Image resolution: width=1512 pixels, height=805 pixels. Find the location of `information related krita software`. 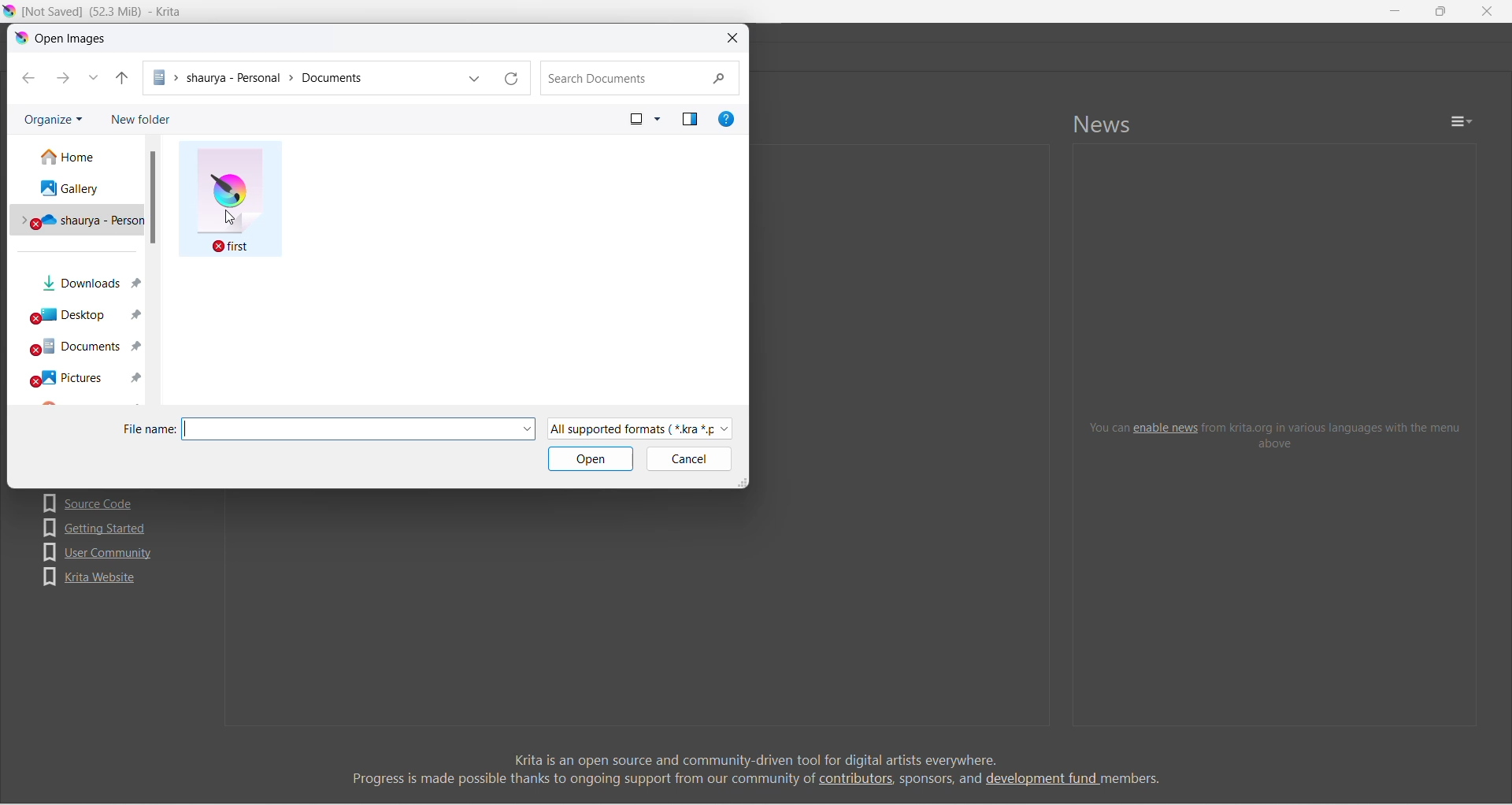

information related krita software is located at coordinates (755, 769).